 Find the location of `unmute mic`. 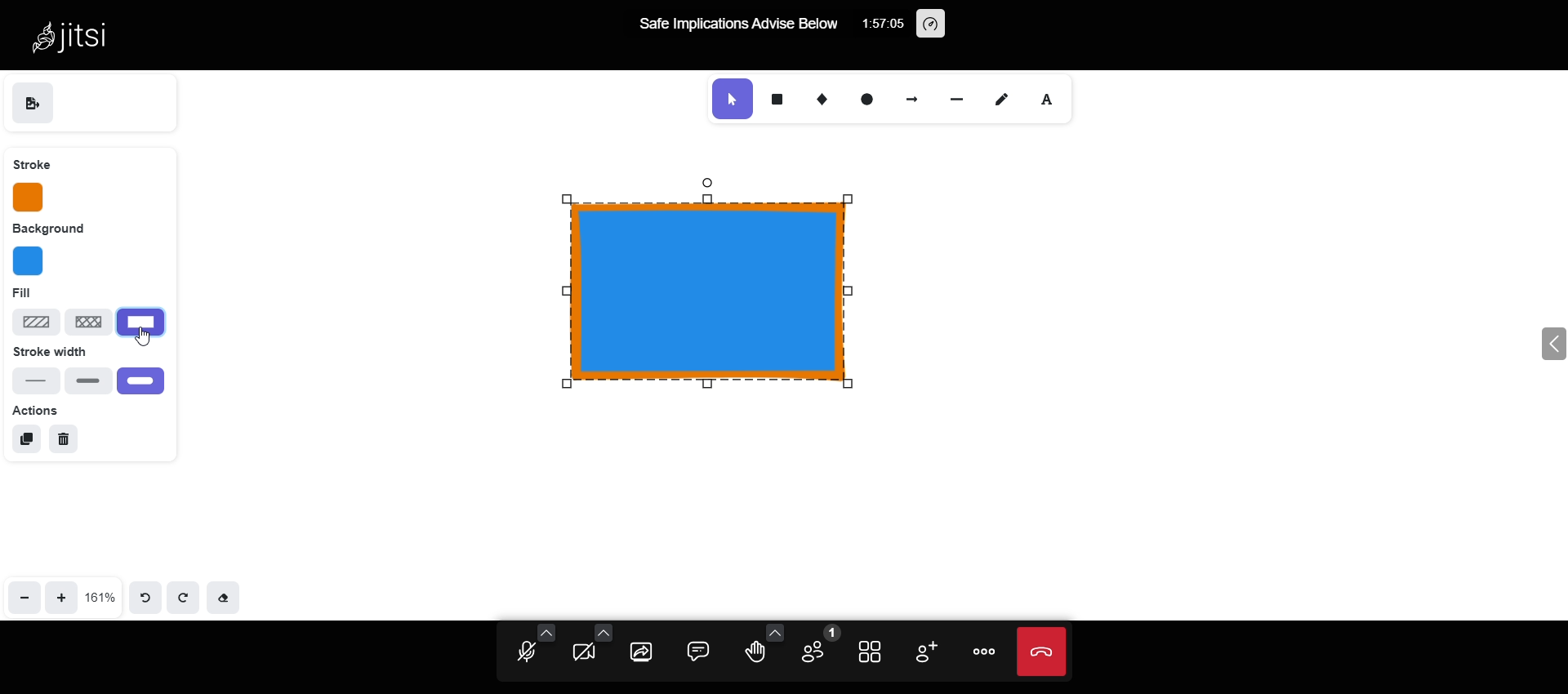

unmute mic is located at coordinates (523, 653).